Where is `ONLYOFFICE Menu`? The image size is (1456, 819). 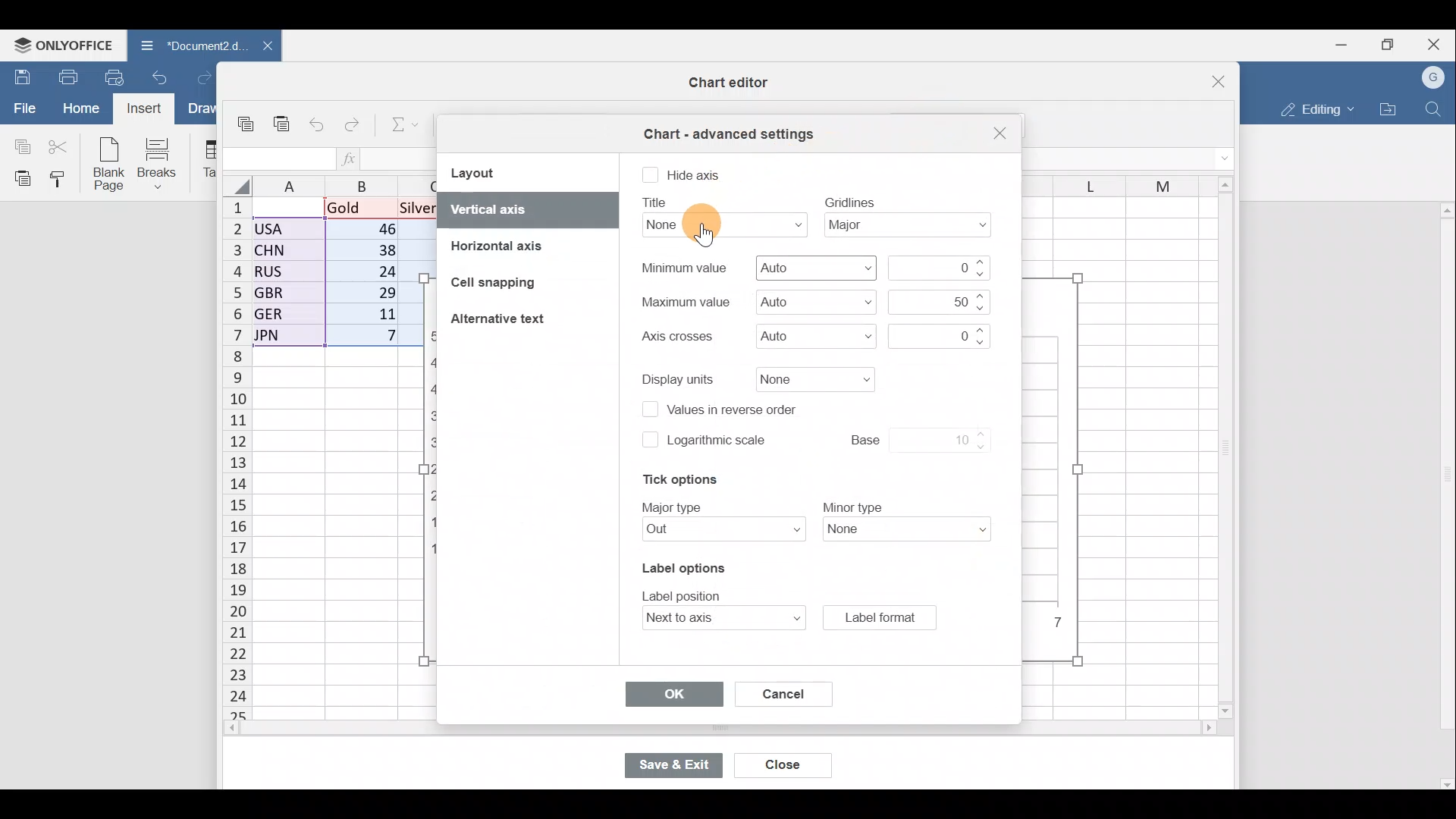 ONLYOFFICE Menu is located at coordinates (64, 45).